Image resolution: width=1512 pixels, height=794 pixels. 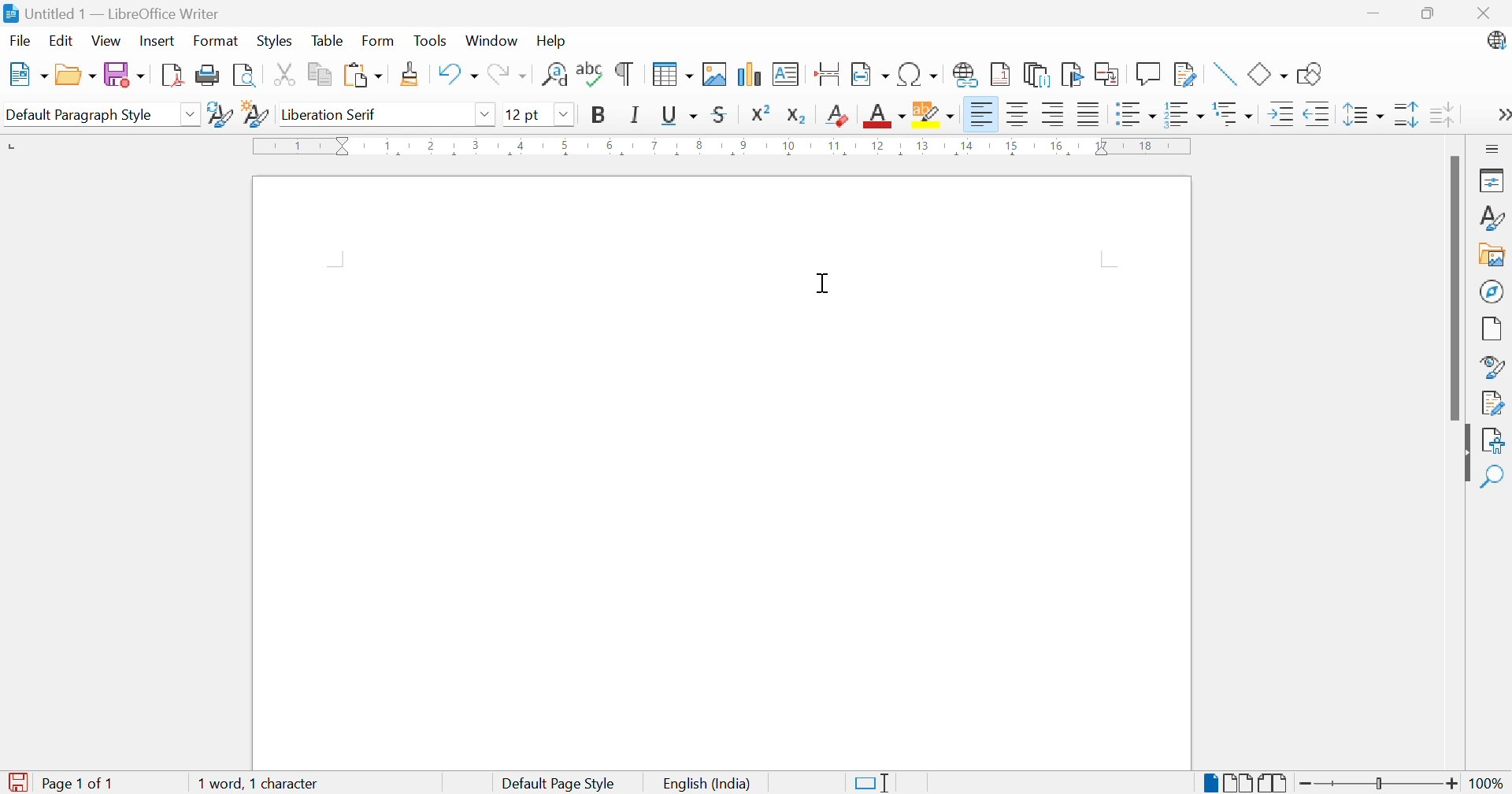 I want to click on Align Center, so click(x=1017, y=114).